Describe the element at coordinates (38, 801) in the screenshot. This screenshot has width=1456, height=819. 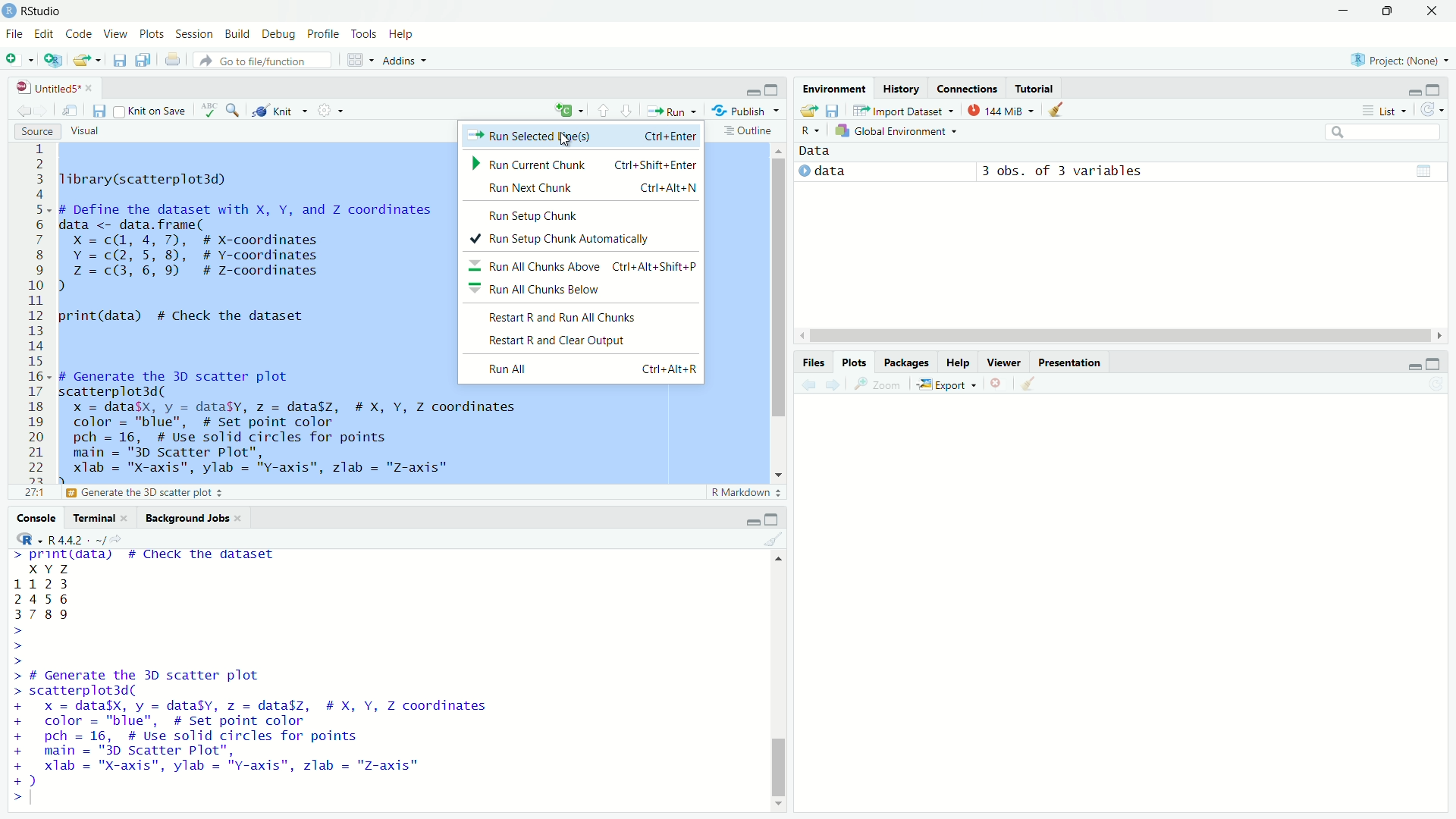
I see `typing cursor` at that location.